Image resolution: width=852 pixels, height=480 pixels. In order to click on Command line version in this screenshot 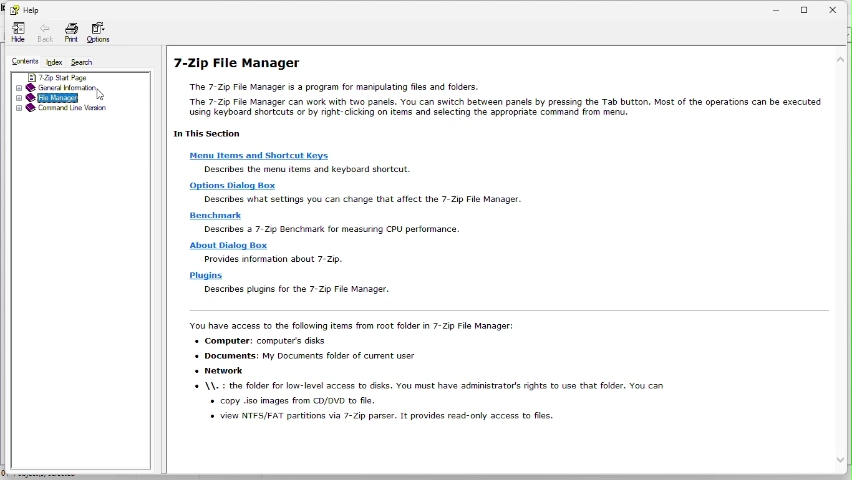, I will do `click(61, 107)`.